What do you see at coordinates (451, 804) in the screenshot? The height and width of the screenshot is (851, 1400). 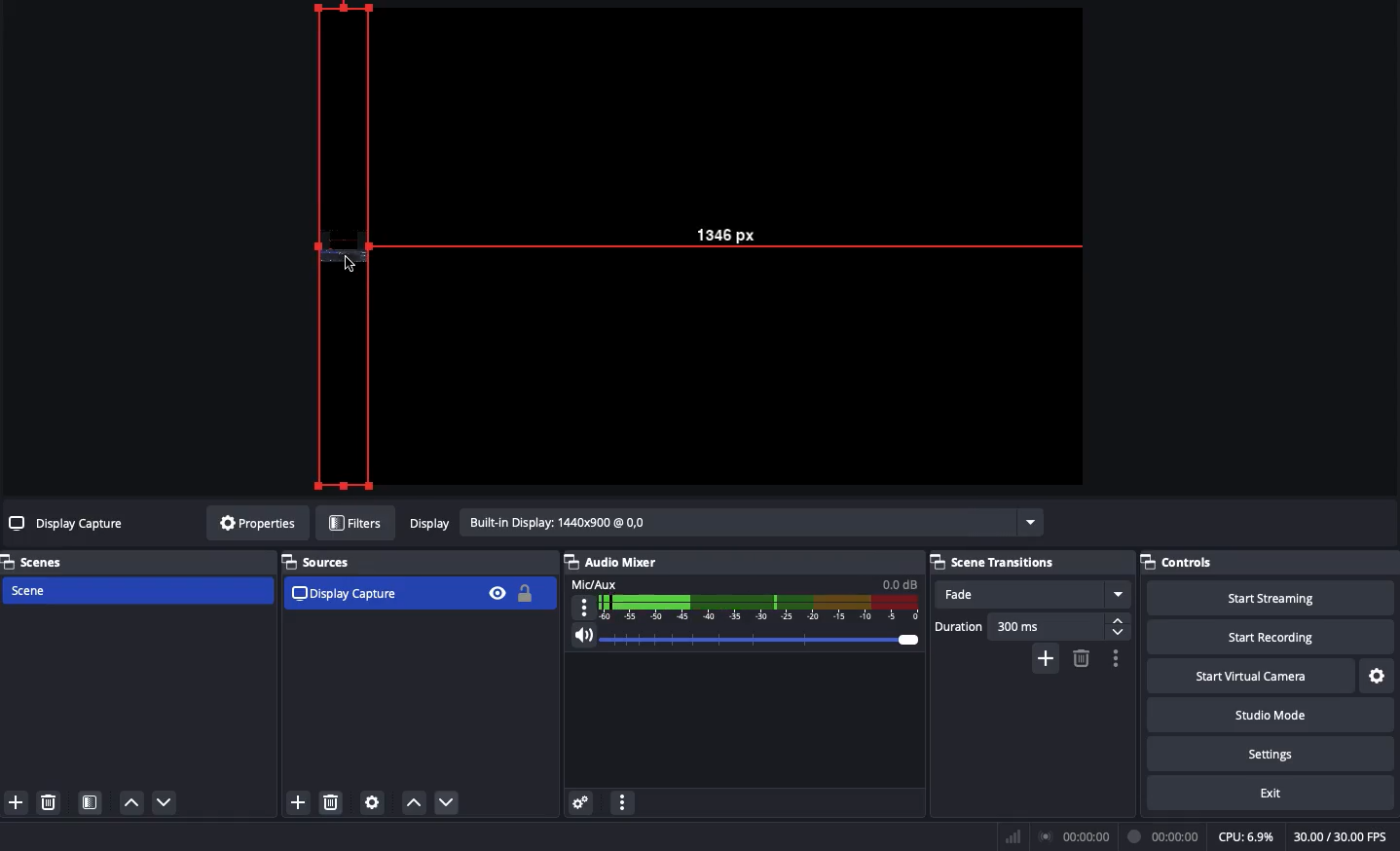 I see `Down` at bounding box center [451, 804].